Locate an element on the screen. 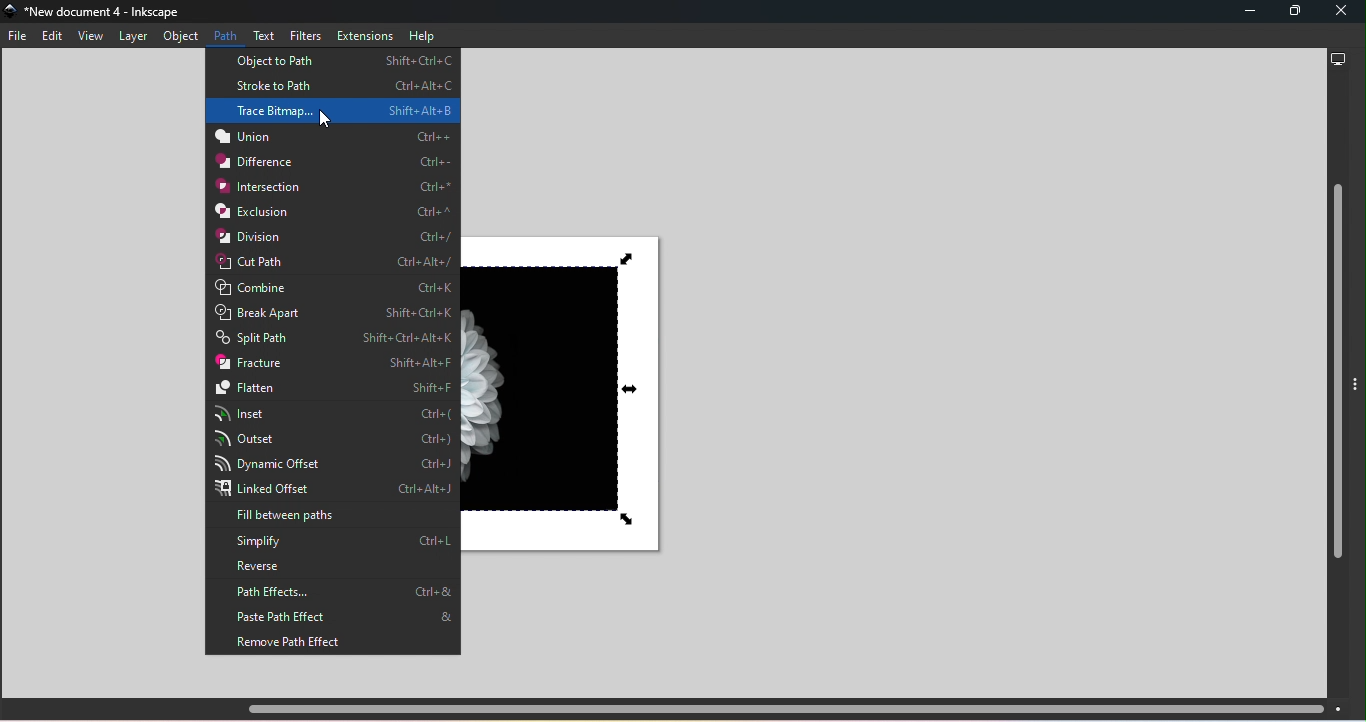 Image resolution: width=1366 pixels, height=722 pixels. Remove path effects is located at coordinates (338, 641).